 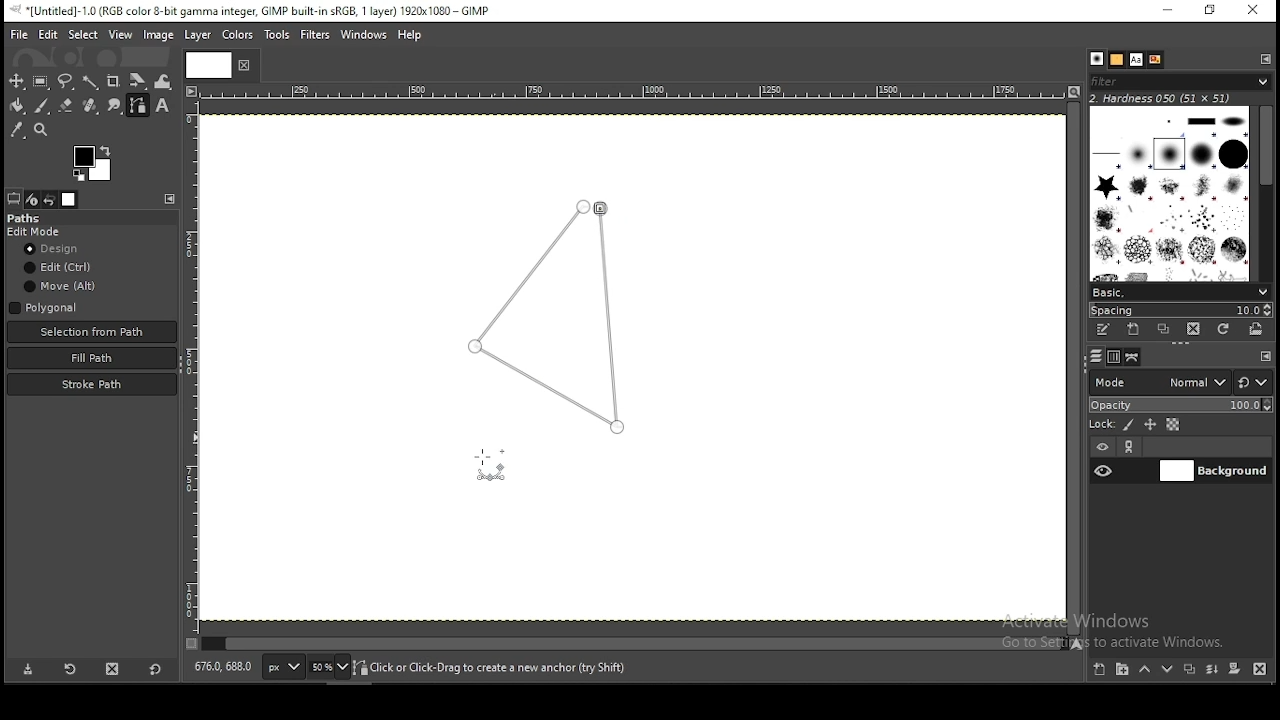 I want to click on vertical scale, so click(x=191, y=373).